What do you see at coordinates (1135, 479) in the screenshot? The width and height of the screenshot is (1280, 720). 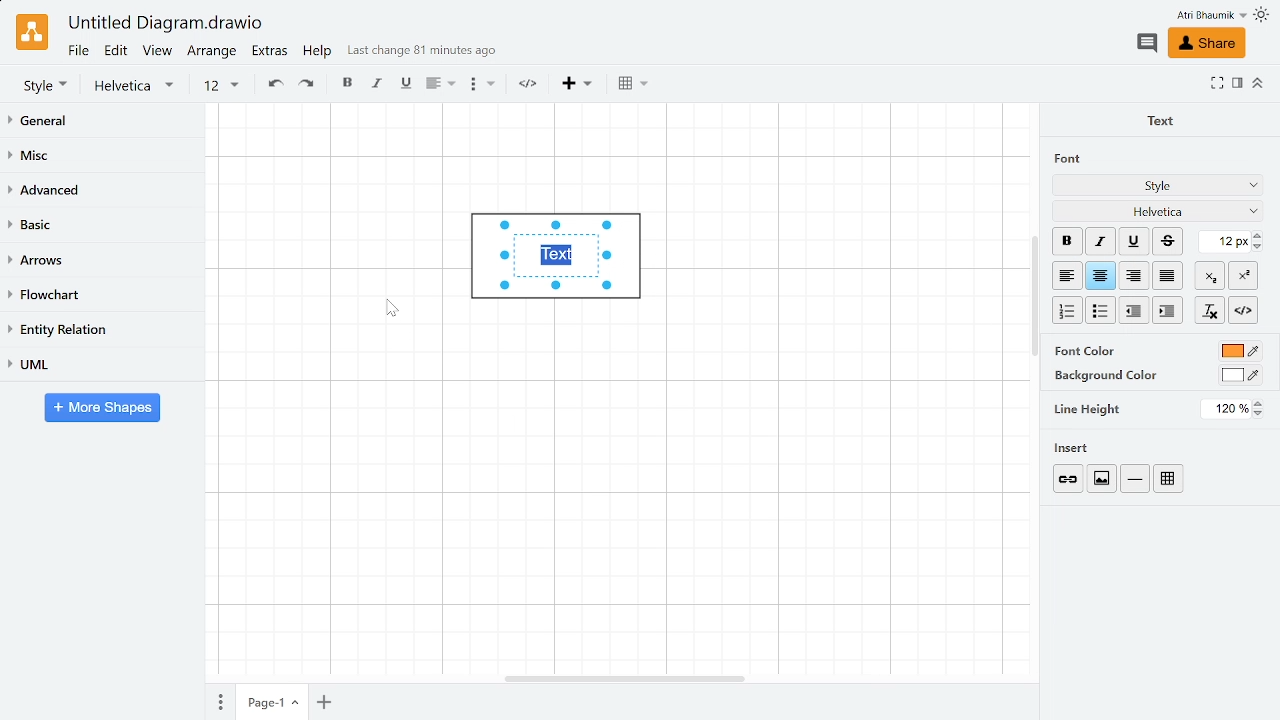 I see `Line` at bounding box center [1135, 479].